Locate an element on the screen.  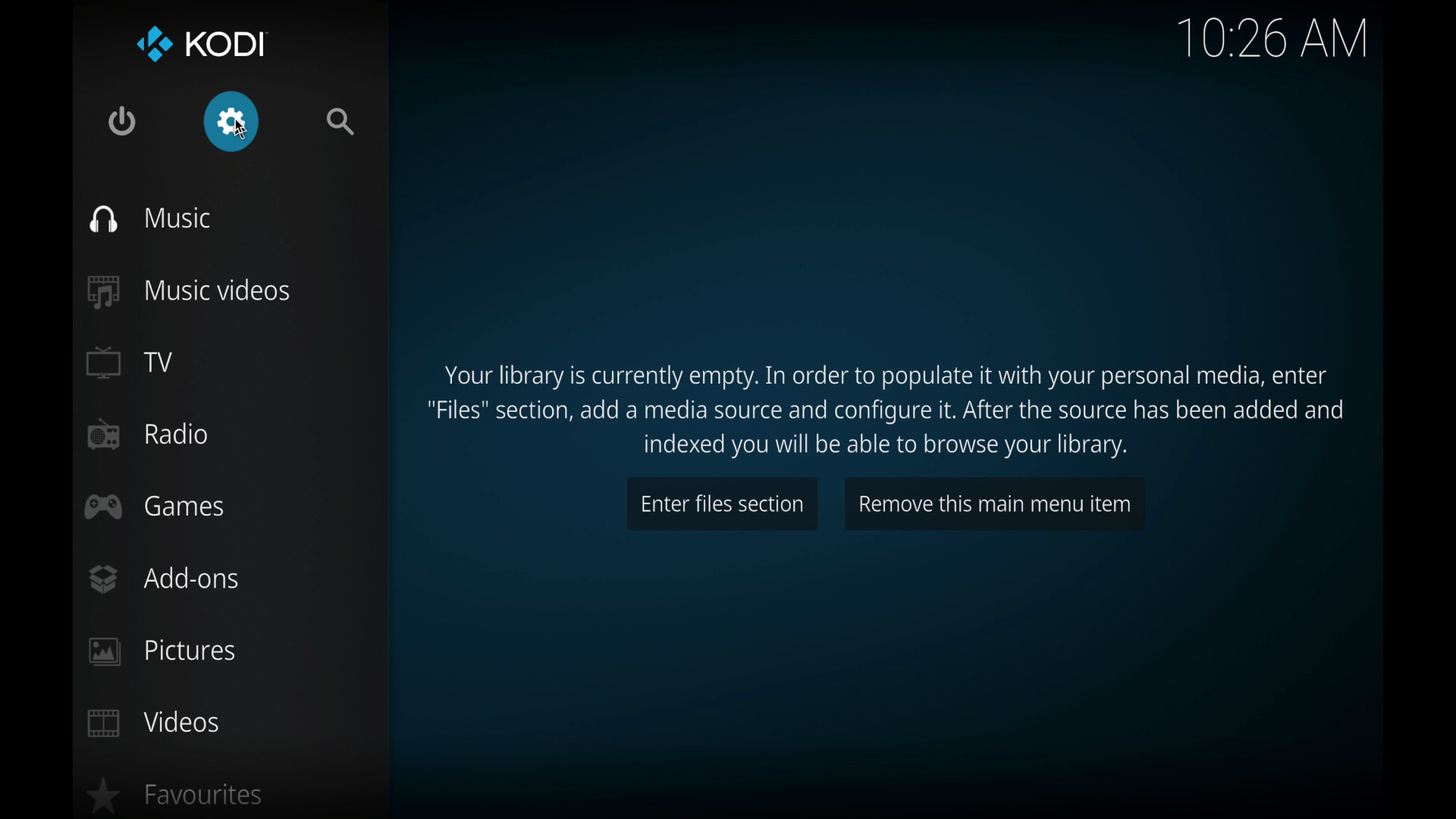
remove this main menu item is located at coordinates (995, 504).